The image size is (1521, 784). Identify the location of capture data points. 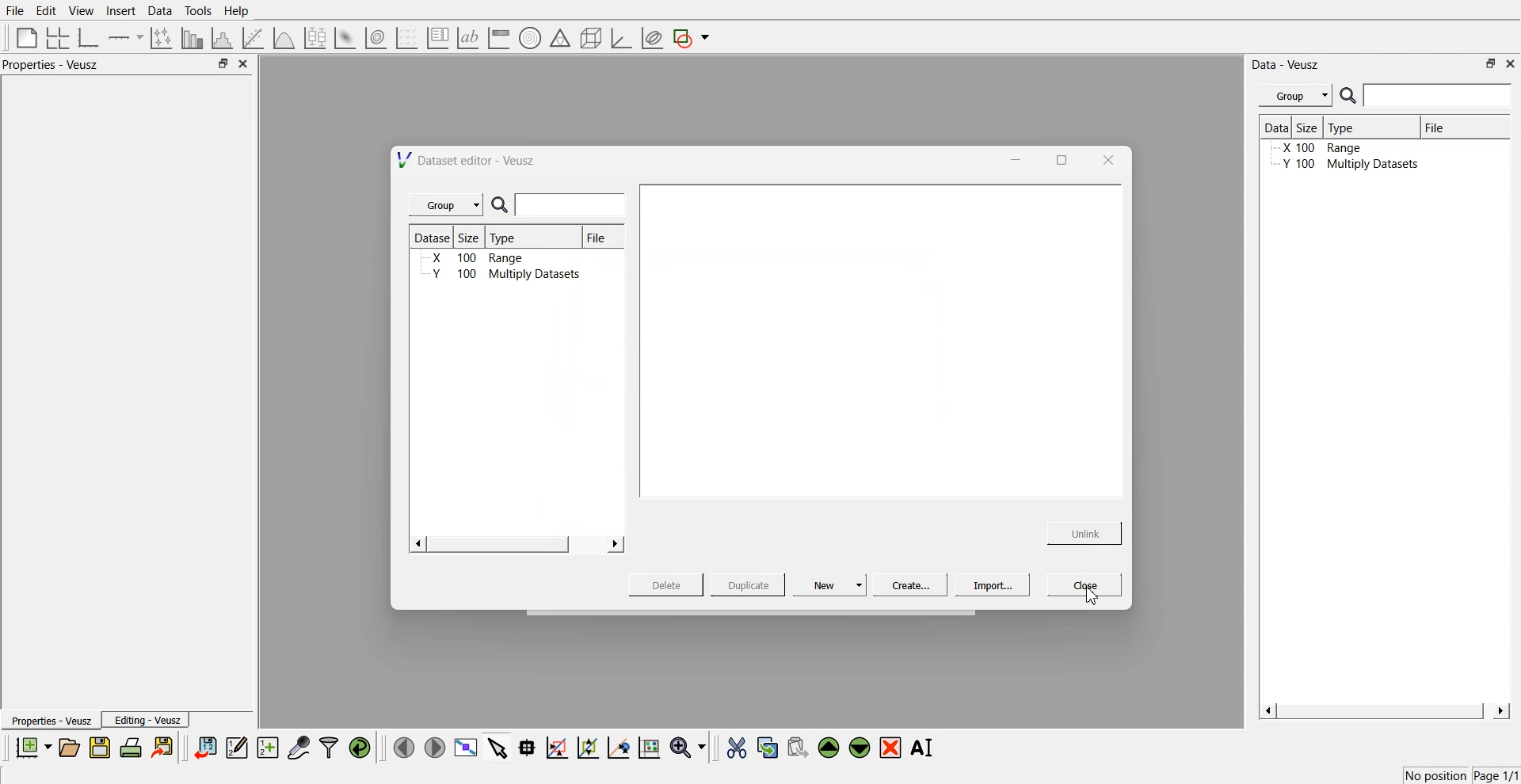
(299, 748).